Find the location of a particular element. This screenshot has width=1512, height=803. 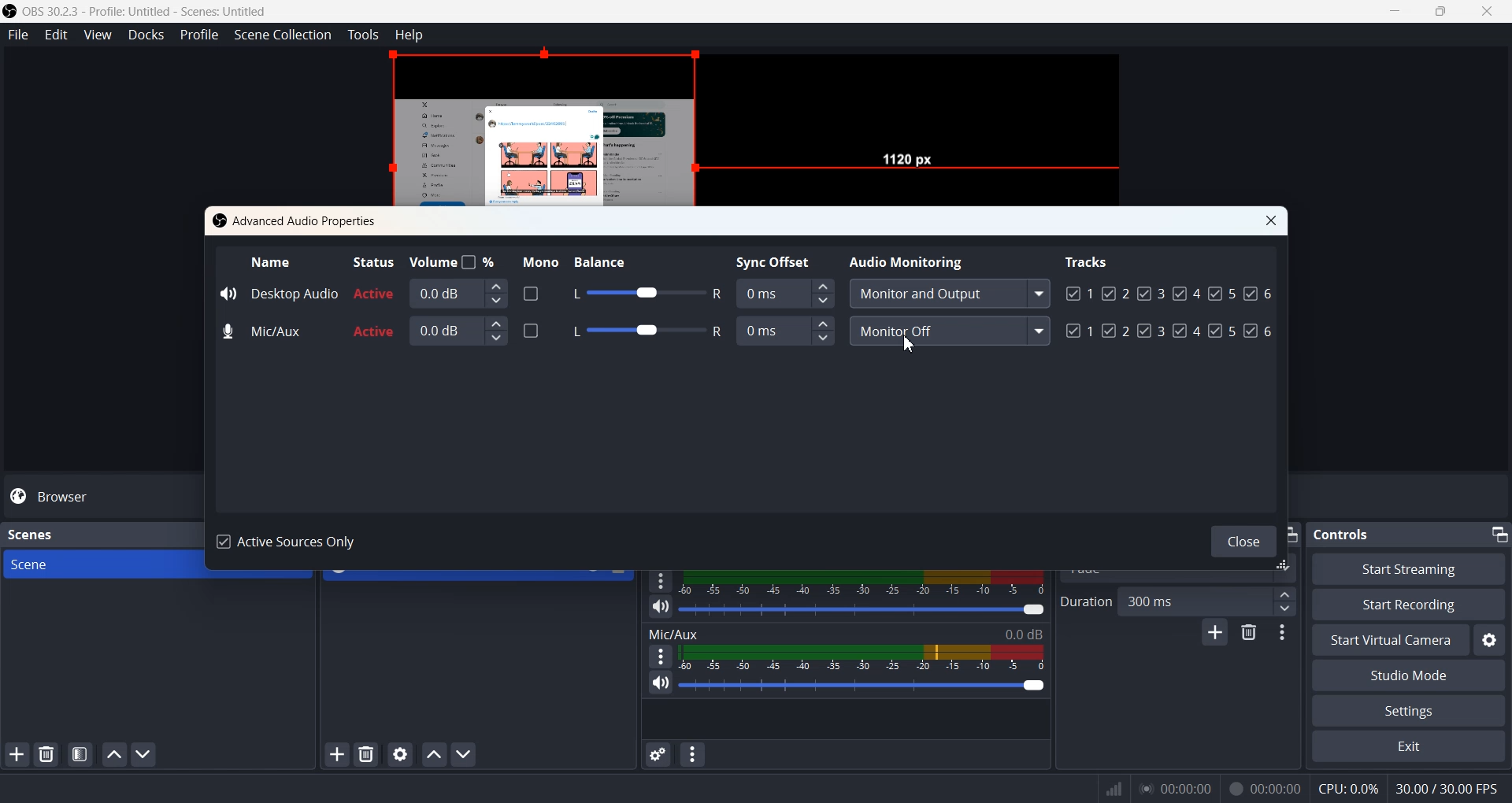

Scene is located at coordinates (98, 564).